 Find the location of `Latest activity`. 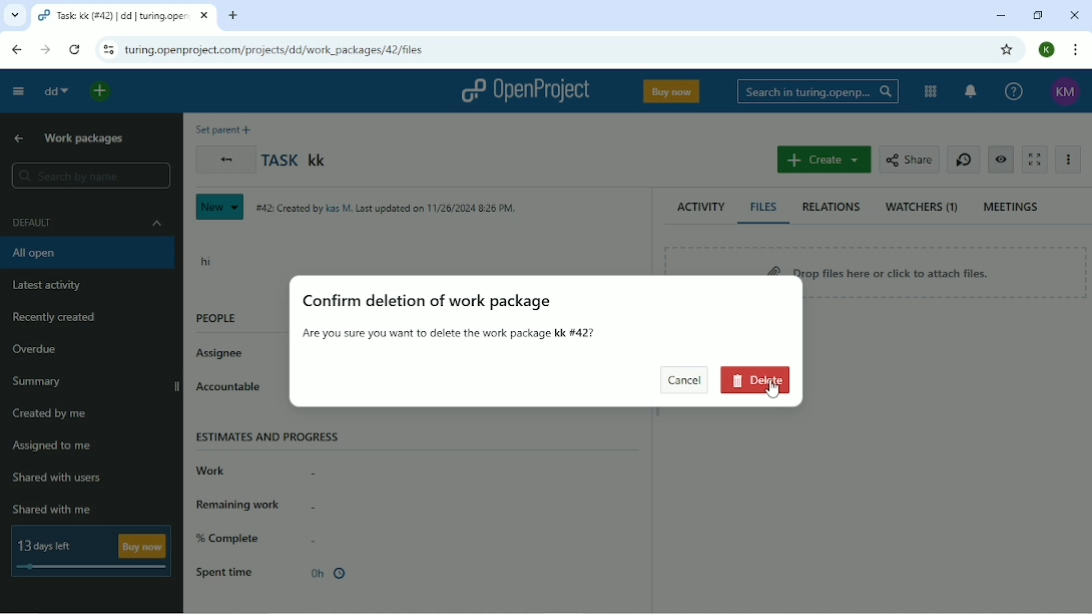

Latest activity is located at coordinates (46, 286).